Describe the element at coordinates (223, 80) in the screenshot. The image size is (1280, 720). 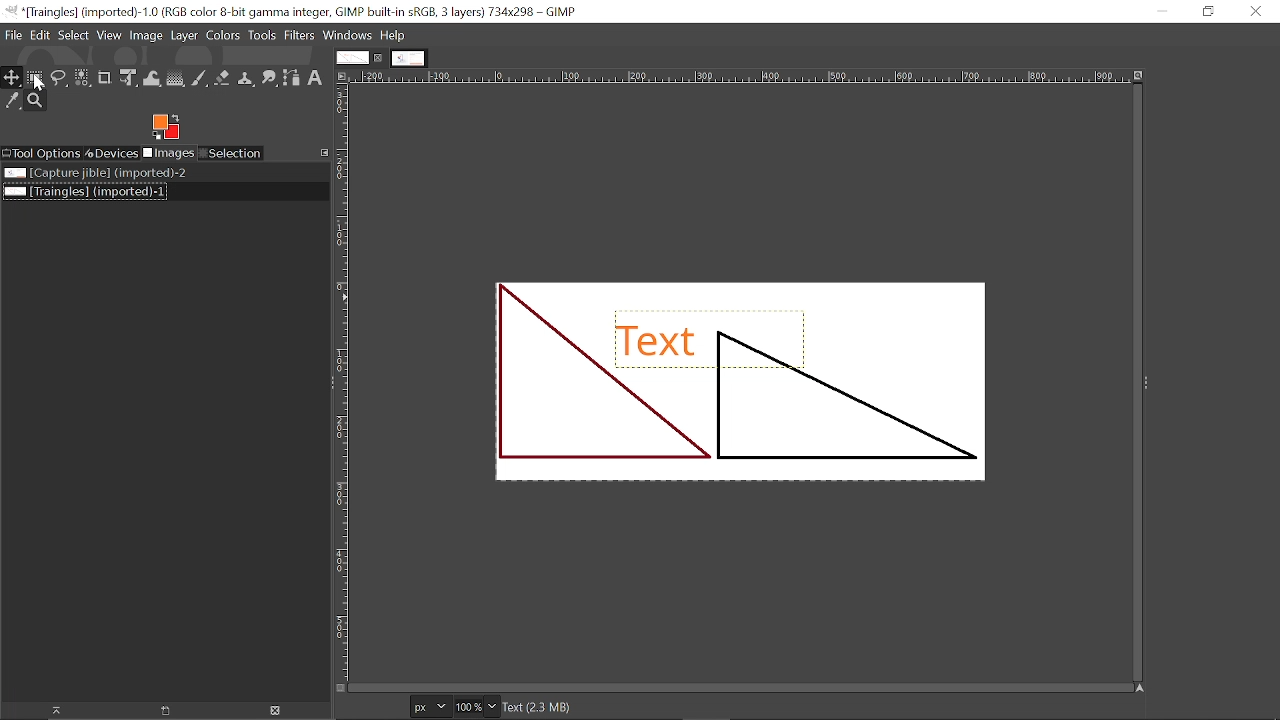
I see `eraser tool` at that location.